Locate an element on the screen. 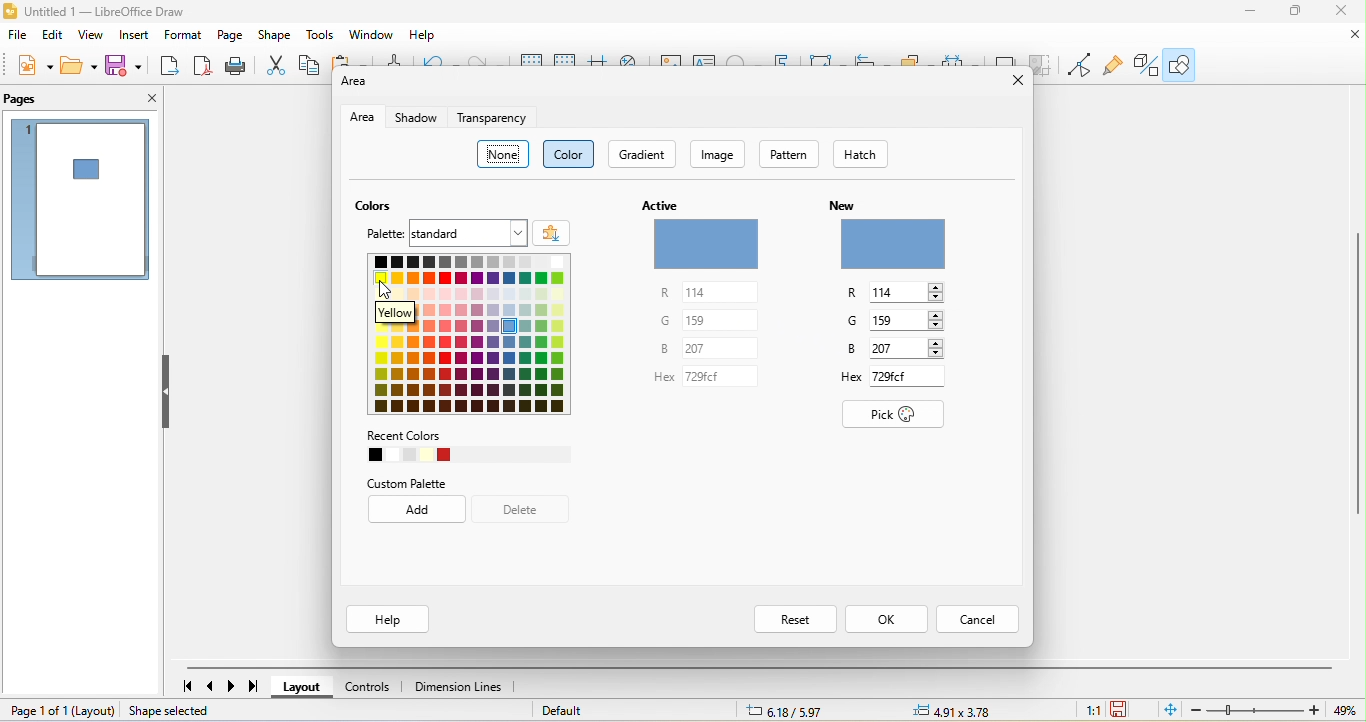 The image size is (1366, 722). pick is located at coordinates (898, 414).